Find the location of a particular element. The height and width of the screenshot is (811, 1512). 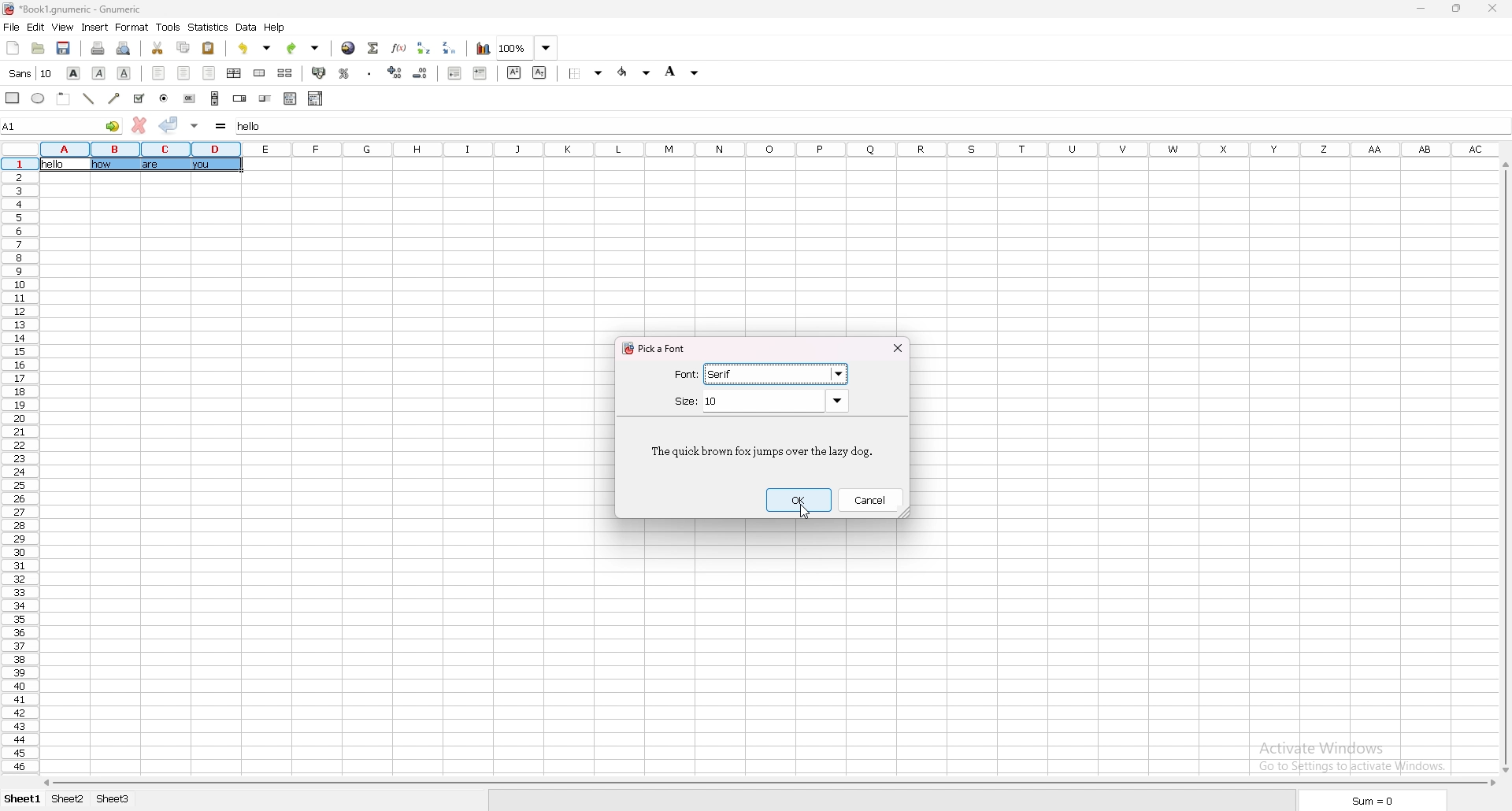

scroll bar is located at coordinates (215, 98).